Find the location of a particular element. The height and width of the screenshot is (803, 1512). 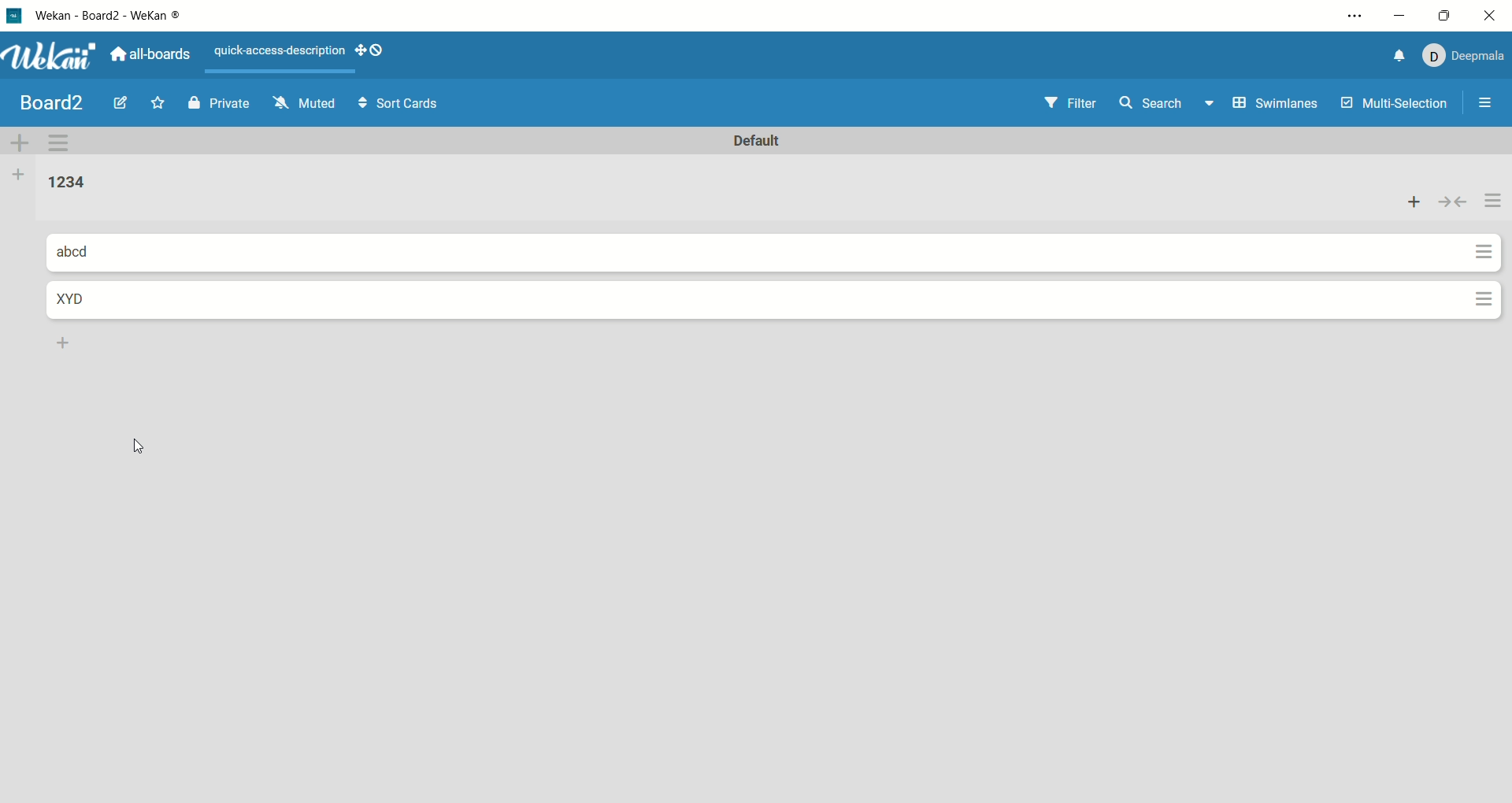

open/close sidebar is located at coordinates (1488, 107).